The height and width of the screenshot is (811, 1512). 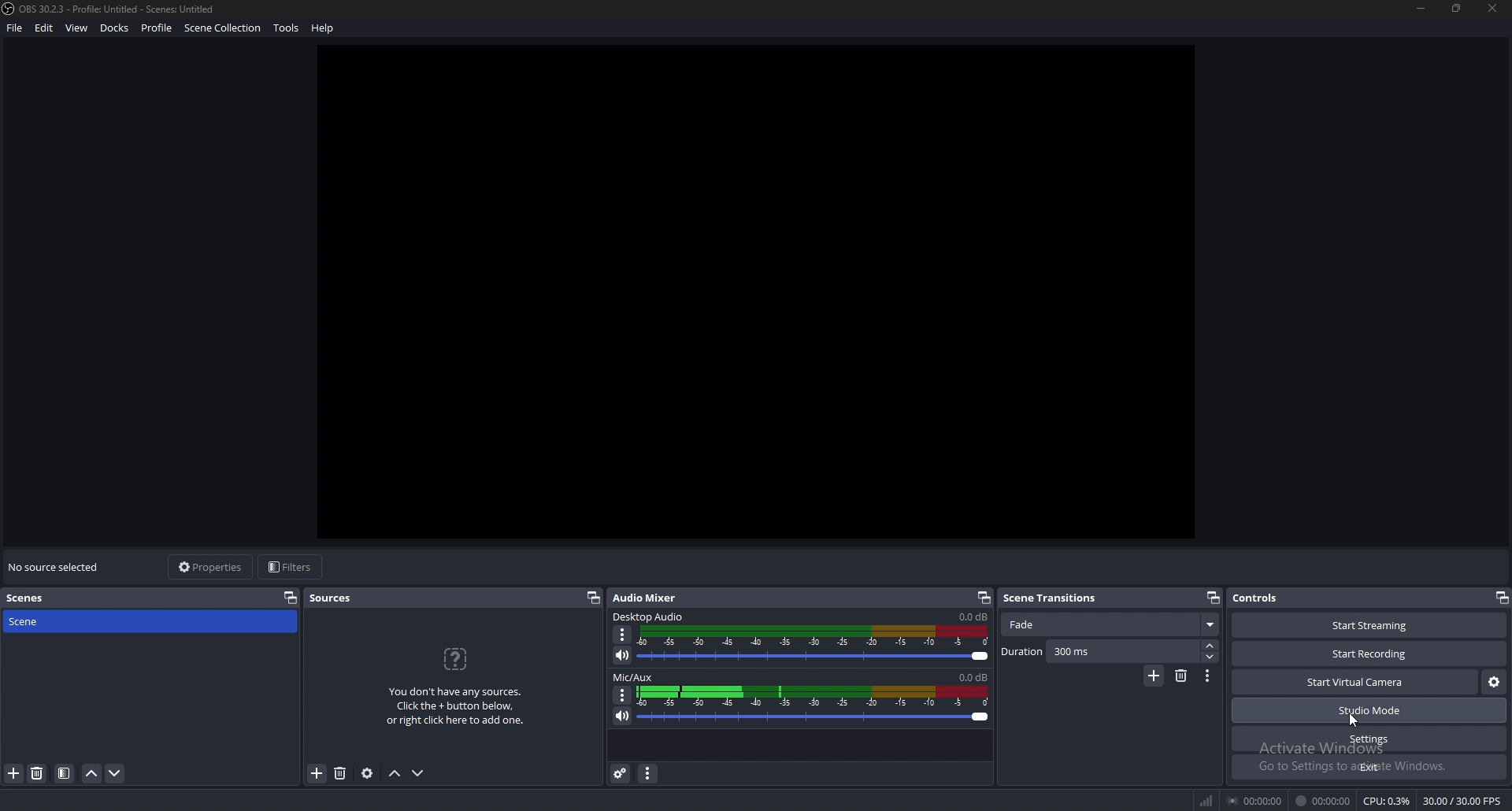 I want to click on You don't have any sources.
Click the + button below,
or right click here to add one., so click(x=460, y=709).